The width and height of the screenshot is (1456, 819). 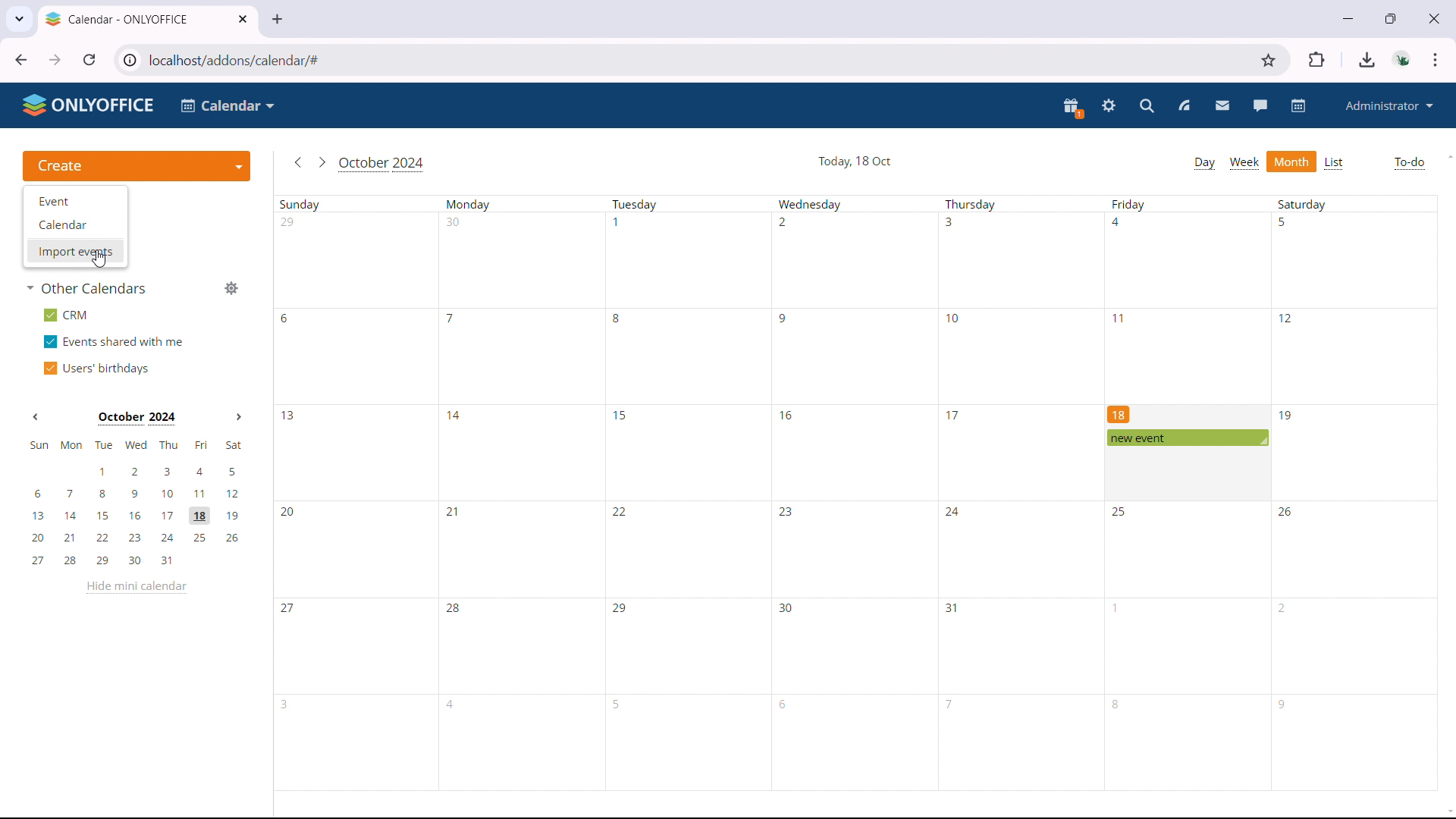 What do you see at coordinates (1388, 105) in the screenshot?
I see `administrator` at bounding box center [1388, 105].